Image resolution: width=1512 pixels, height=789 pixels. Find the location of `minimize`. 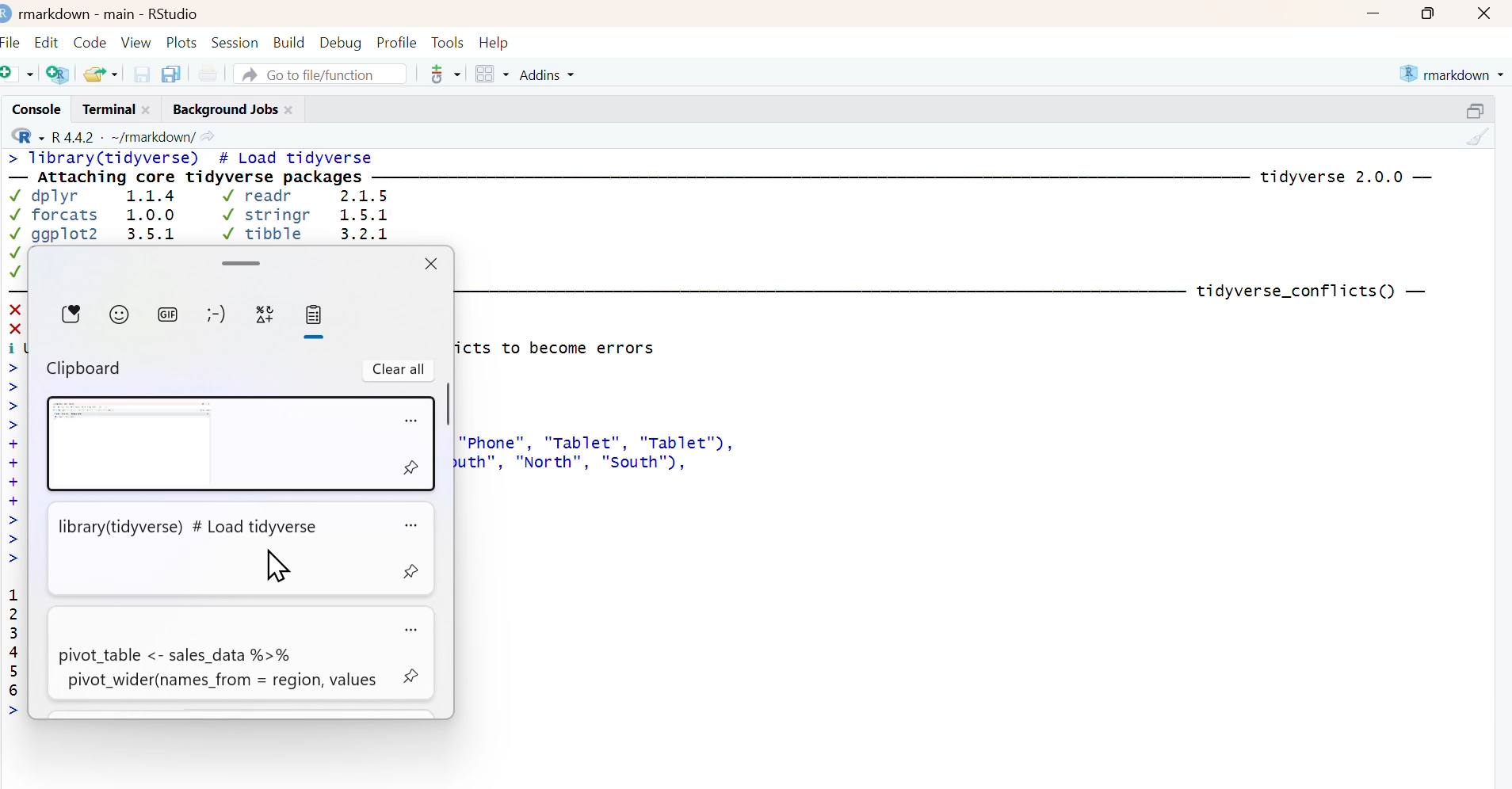

minimize is located at coordinates (1373, 13).